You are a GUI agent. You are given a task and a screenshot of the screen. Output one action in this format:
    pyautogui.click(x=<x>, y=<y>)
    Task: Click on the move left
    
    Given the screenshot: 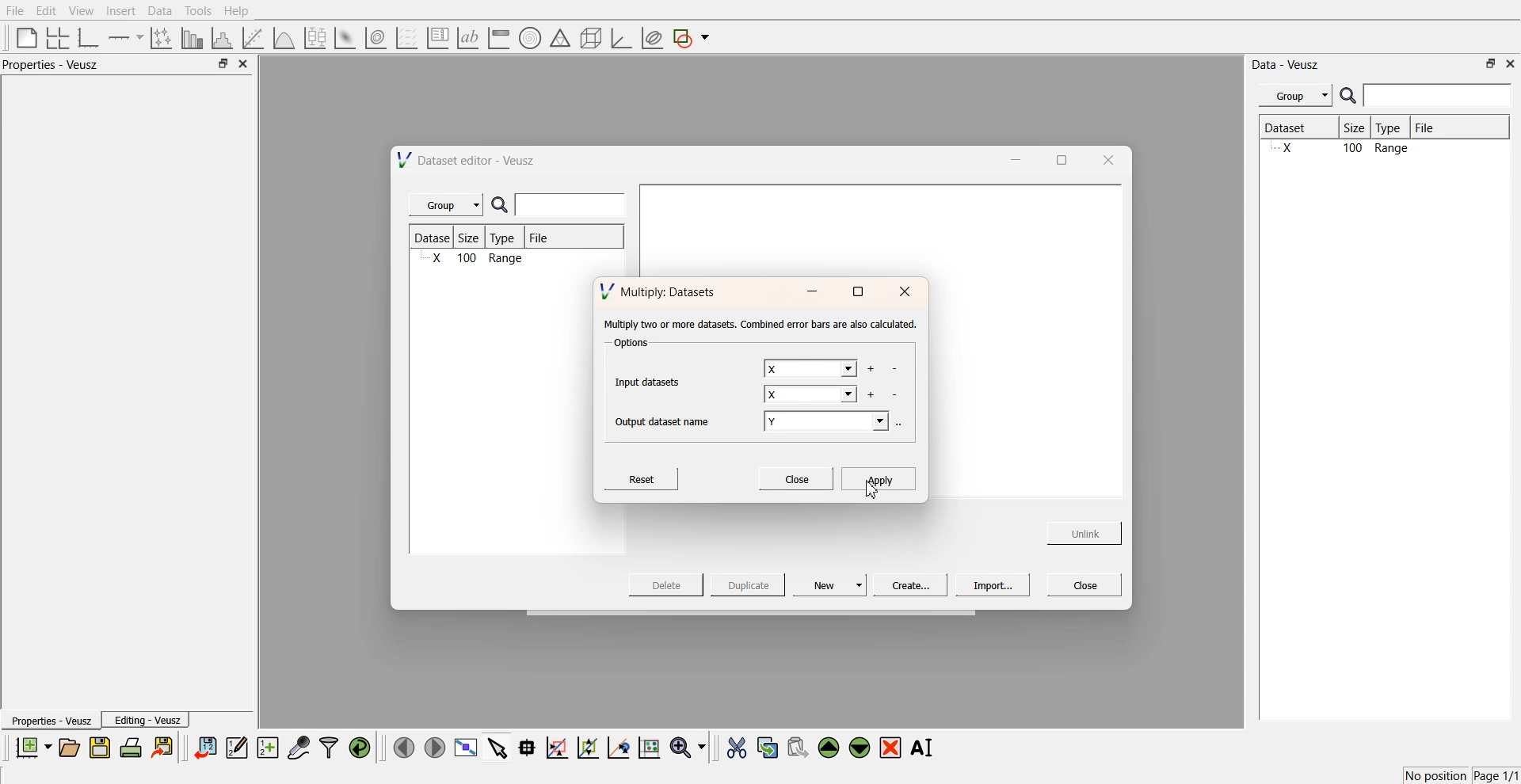 What is the action you would take?
    pyautogui.click(x=404, y=747)
    